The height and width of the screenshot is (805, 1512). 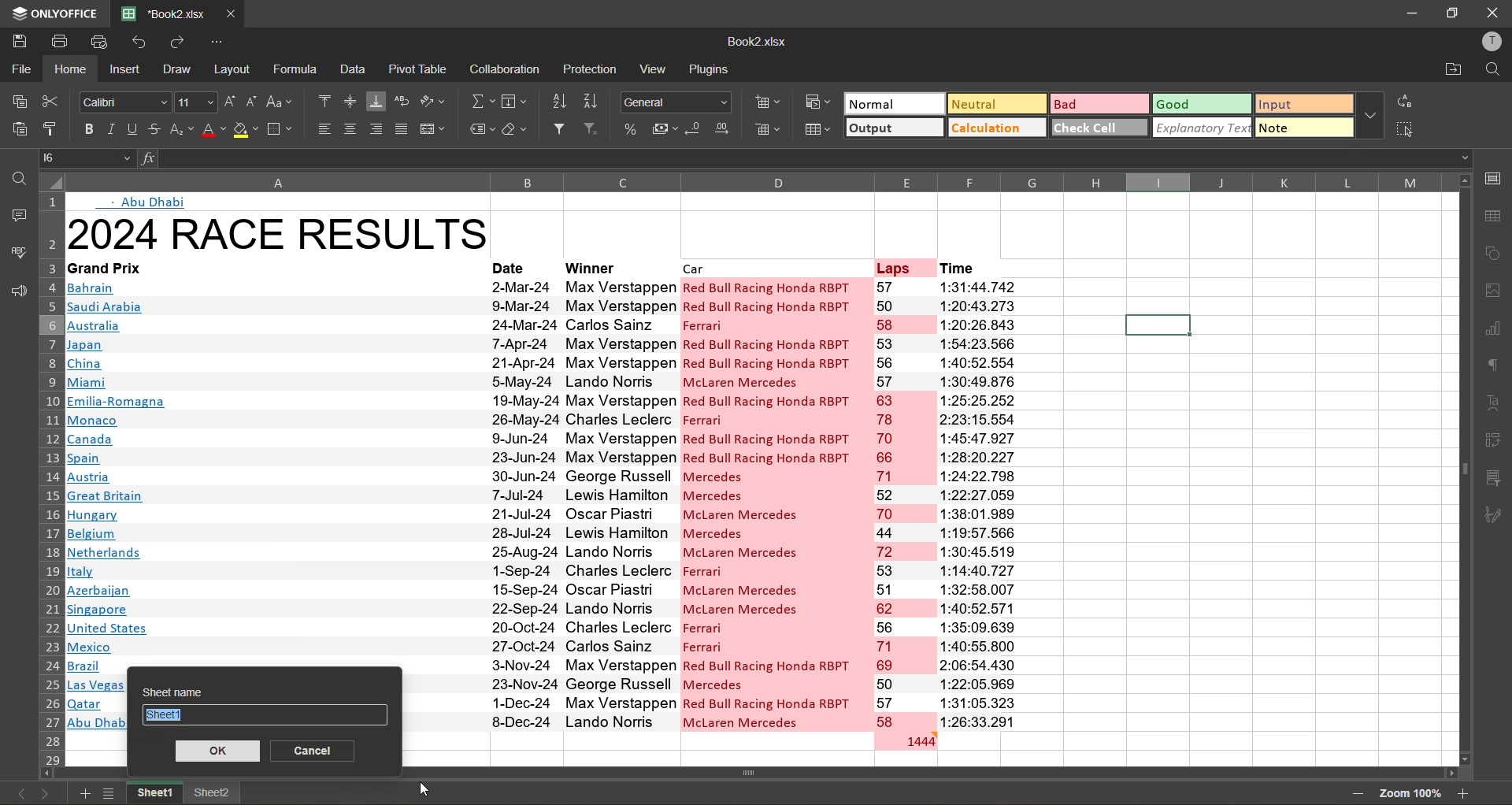 What do you see at coordinates (561, 129) in the screenshot?
I see `filter` at bounding box center [561, 129].